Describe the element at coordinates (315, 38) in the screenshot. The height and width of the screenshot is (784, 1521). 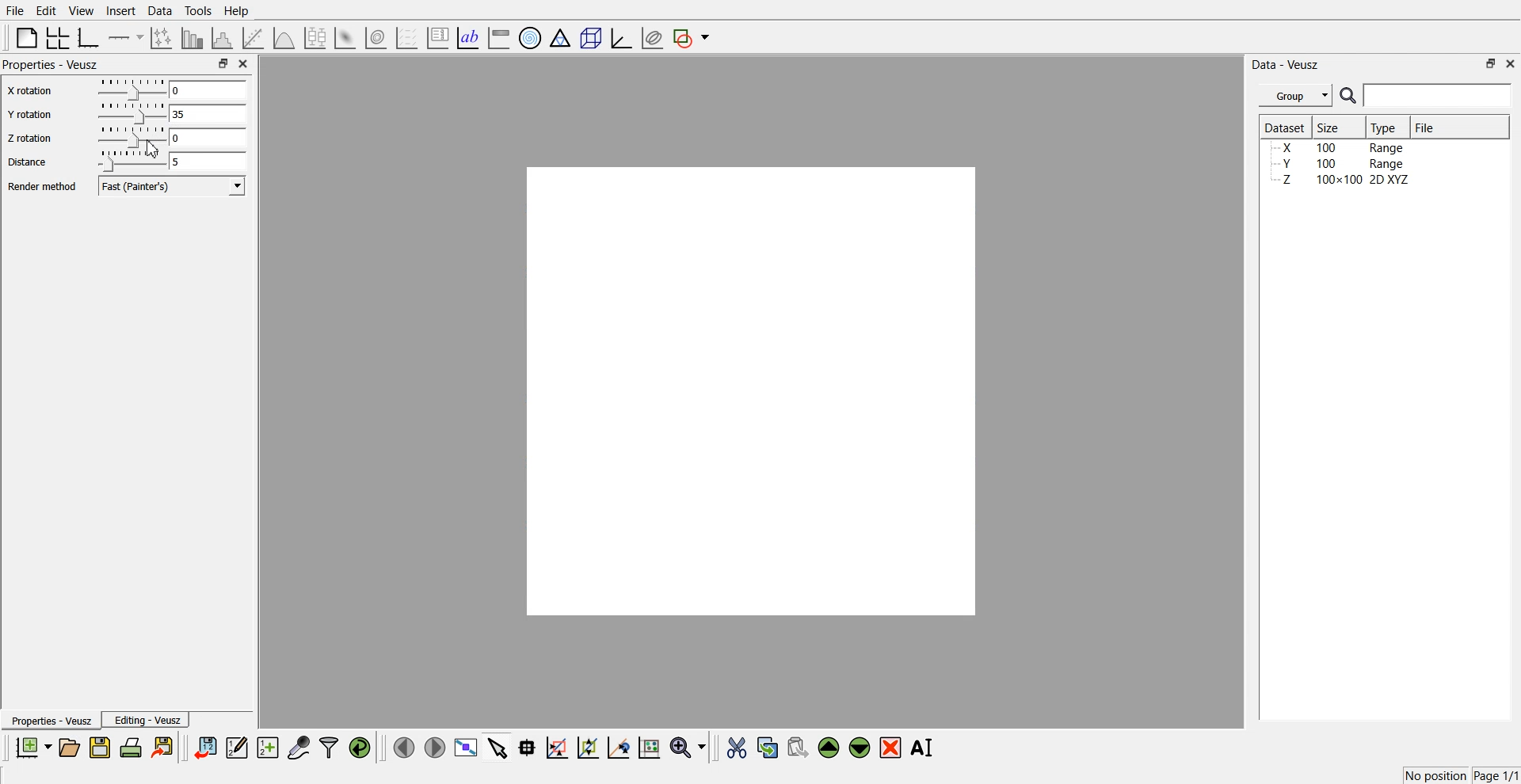
I see `Plot box plots` at that location.